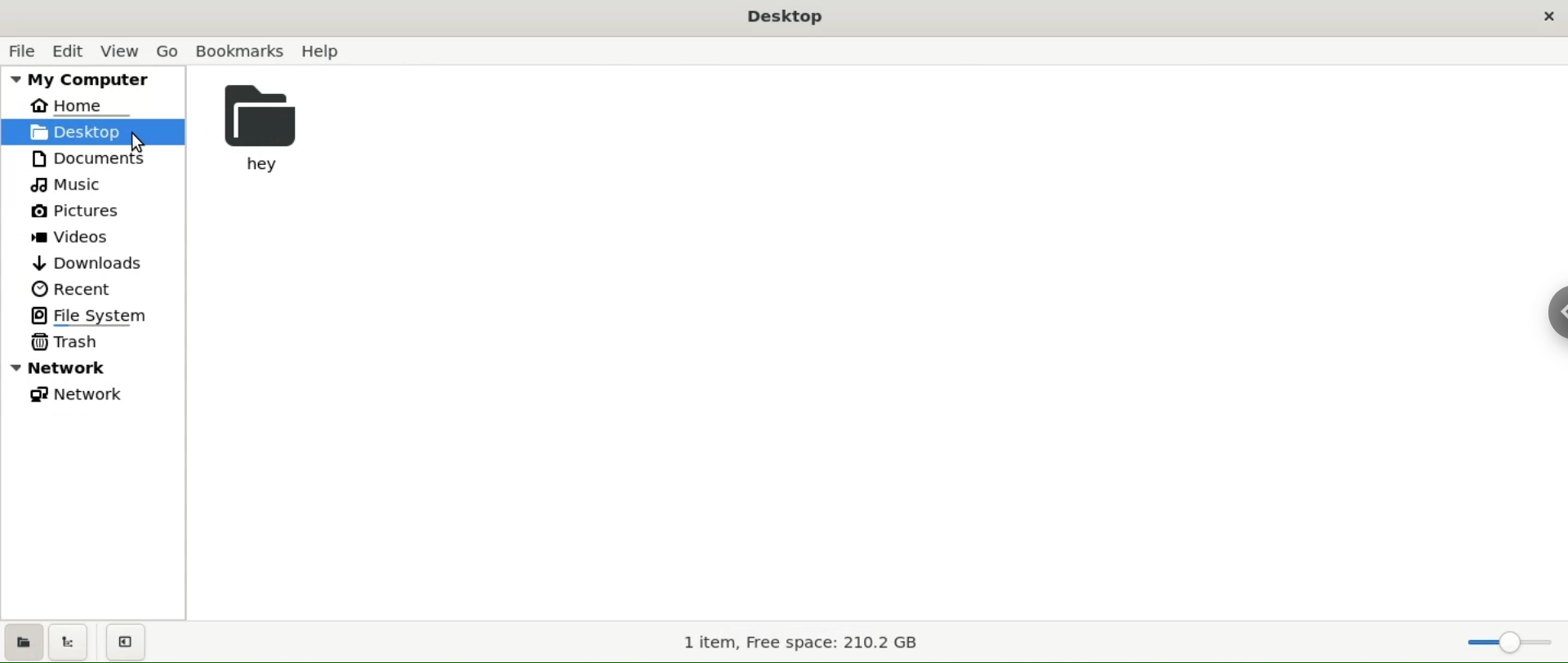 This screenshot has width=1568, height=663. What do you see at coordinates (78, 106) in the screenshot?
I see `home` at bounding box center [78, 106].